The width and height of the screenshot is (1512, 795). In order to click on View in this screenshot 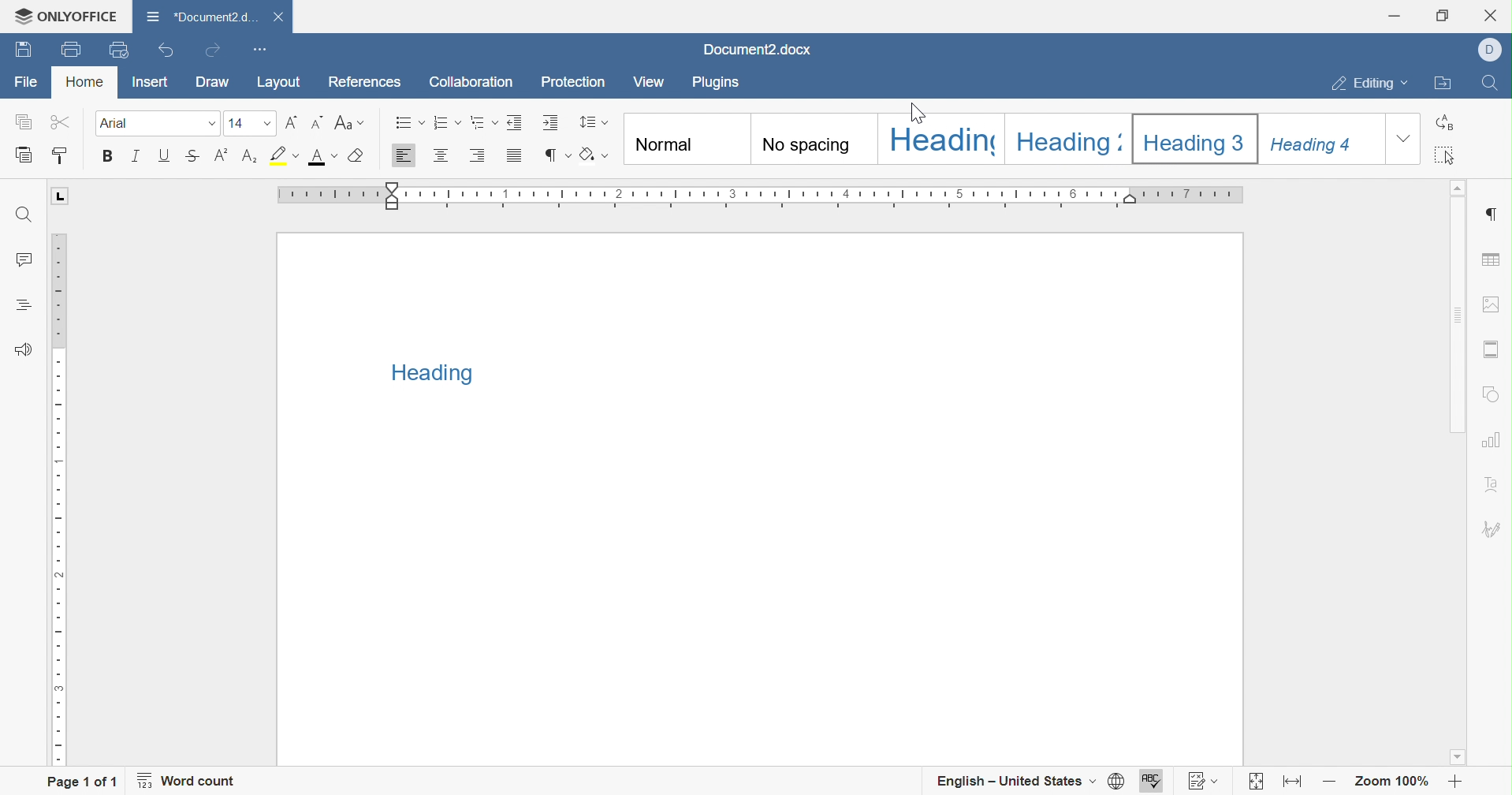, I will do `click(652, 80)`.